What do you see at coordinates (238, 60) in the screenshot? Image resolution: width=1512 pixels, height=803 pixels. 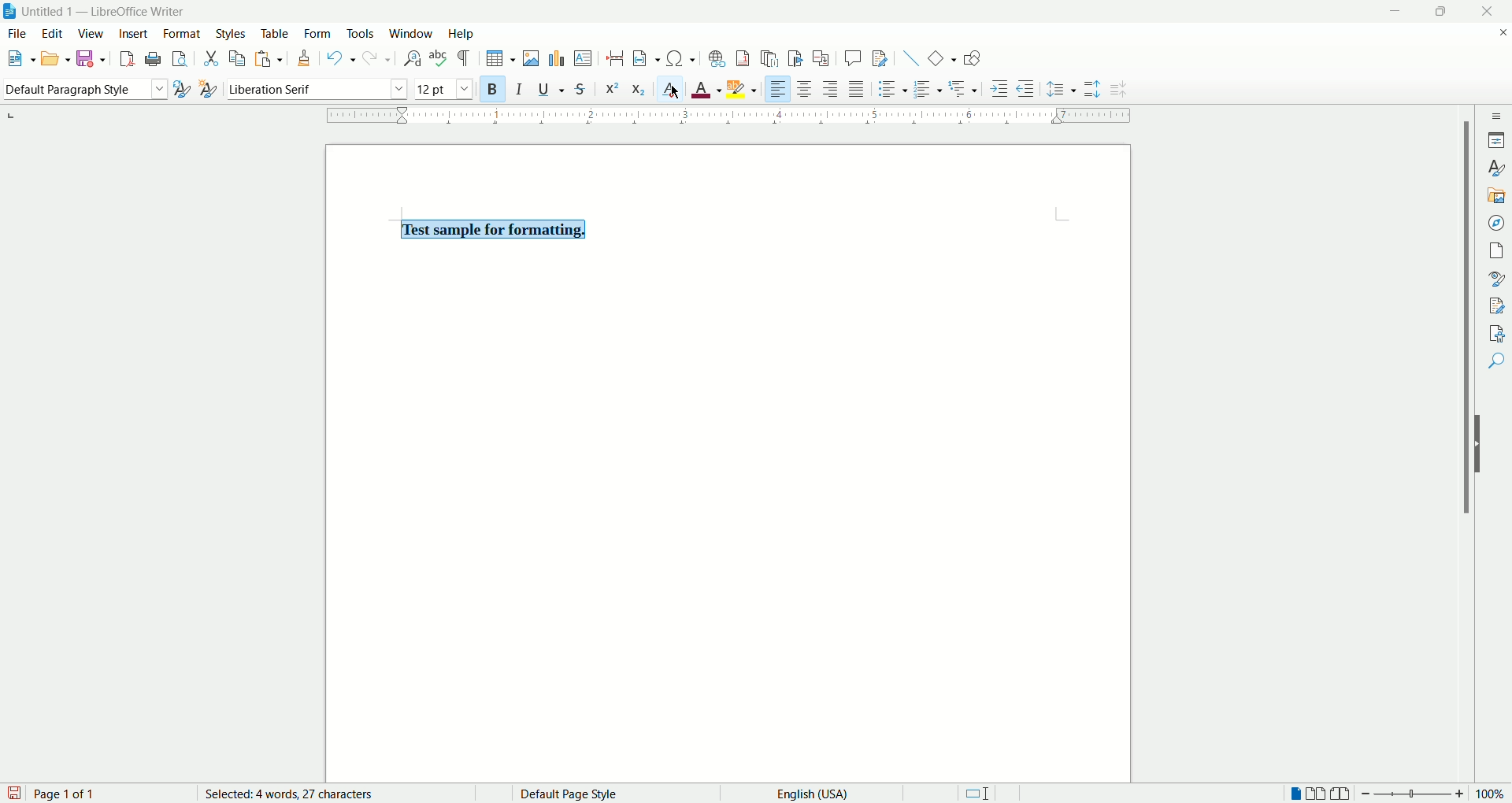 I see `copy` at bounding box center [238, 60].